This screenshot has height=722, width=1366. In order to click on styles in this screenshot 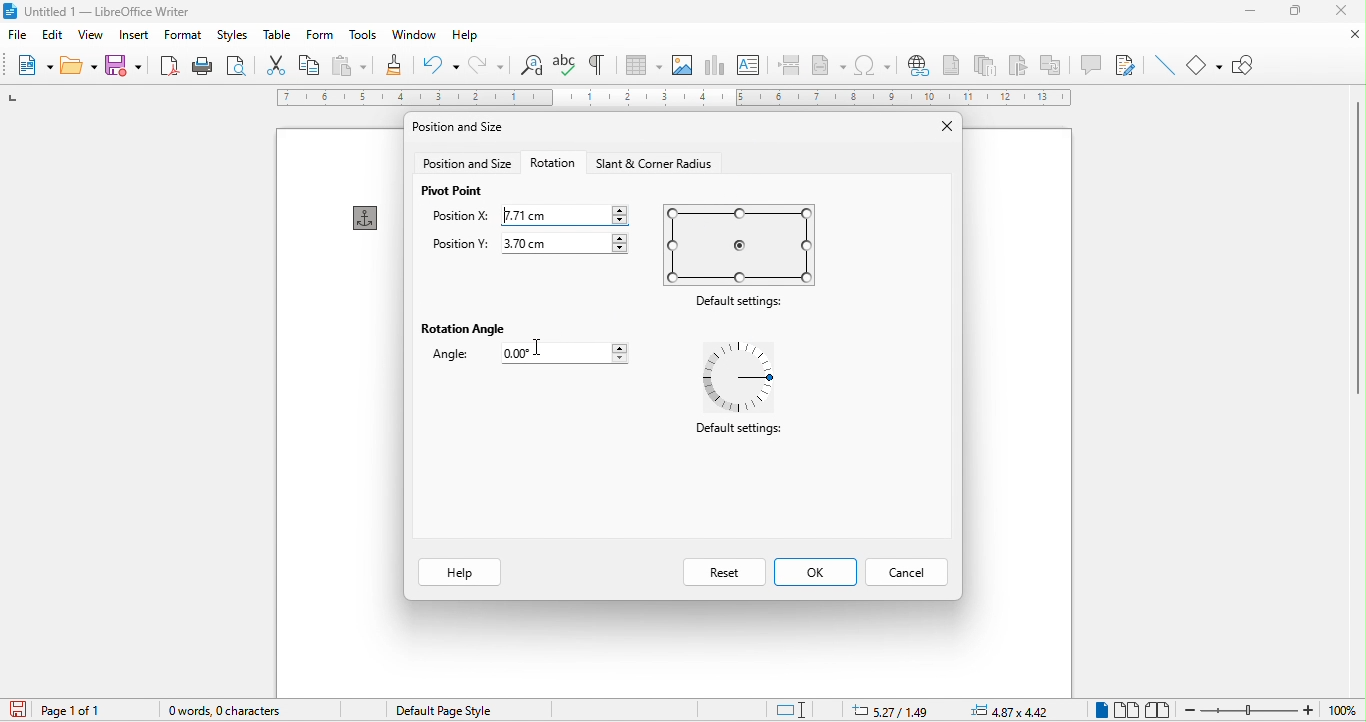, I will do `click(233, 36)`.